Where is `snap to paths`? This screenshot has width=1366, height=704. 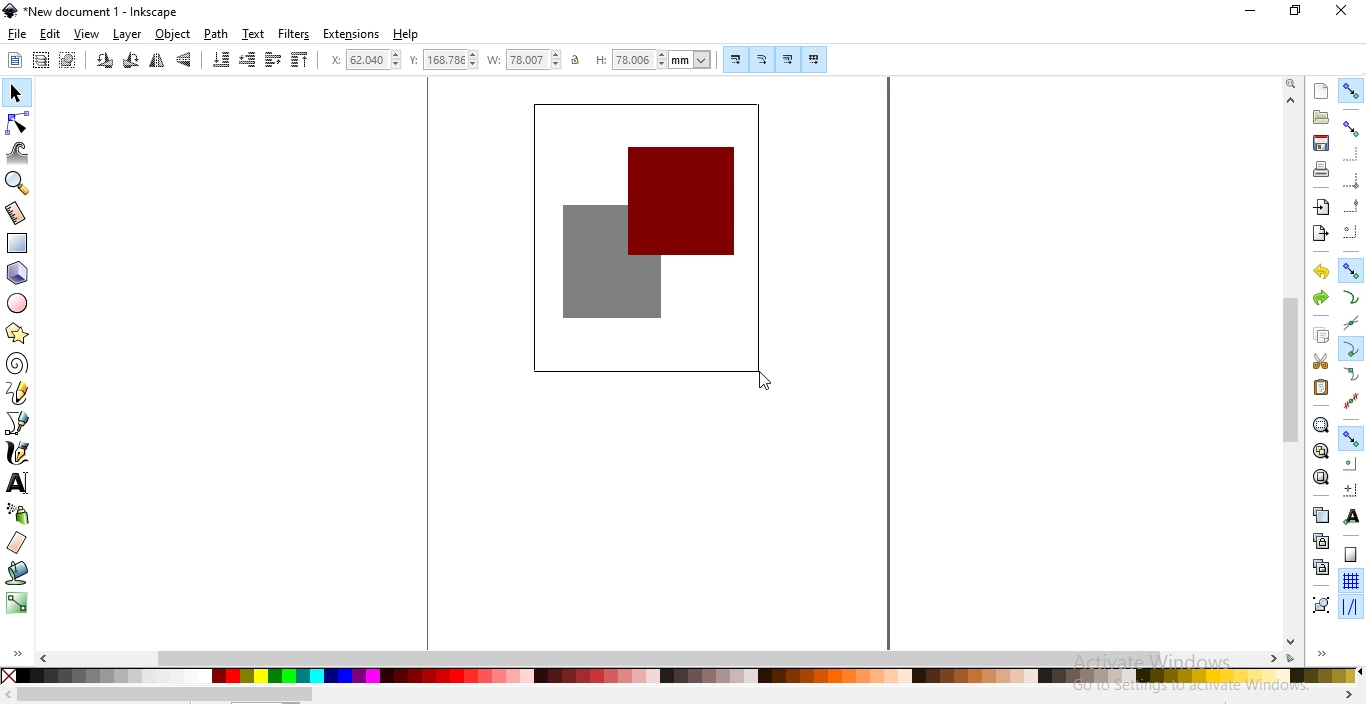
snap to paths is located at coordinates (1351, 298).